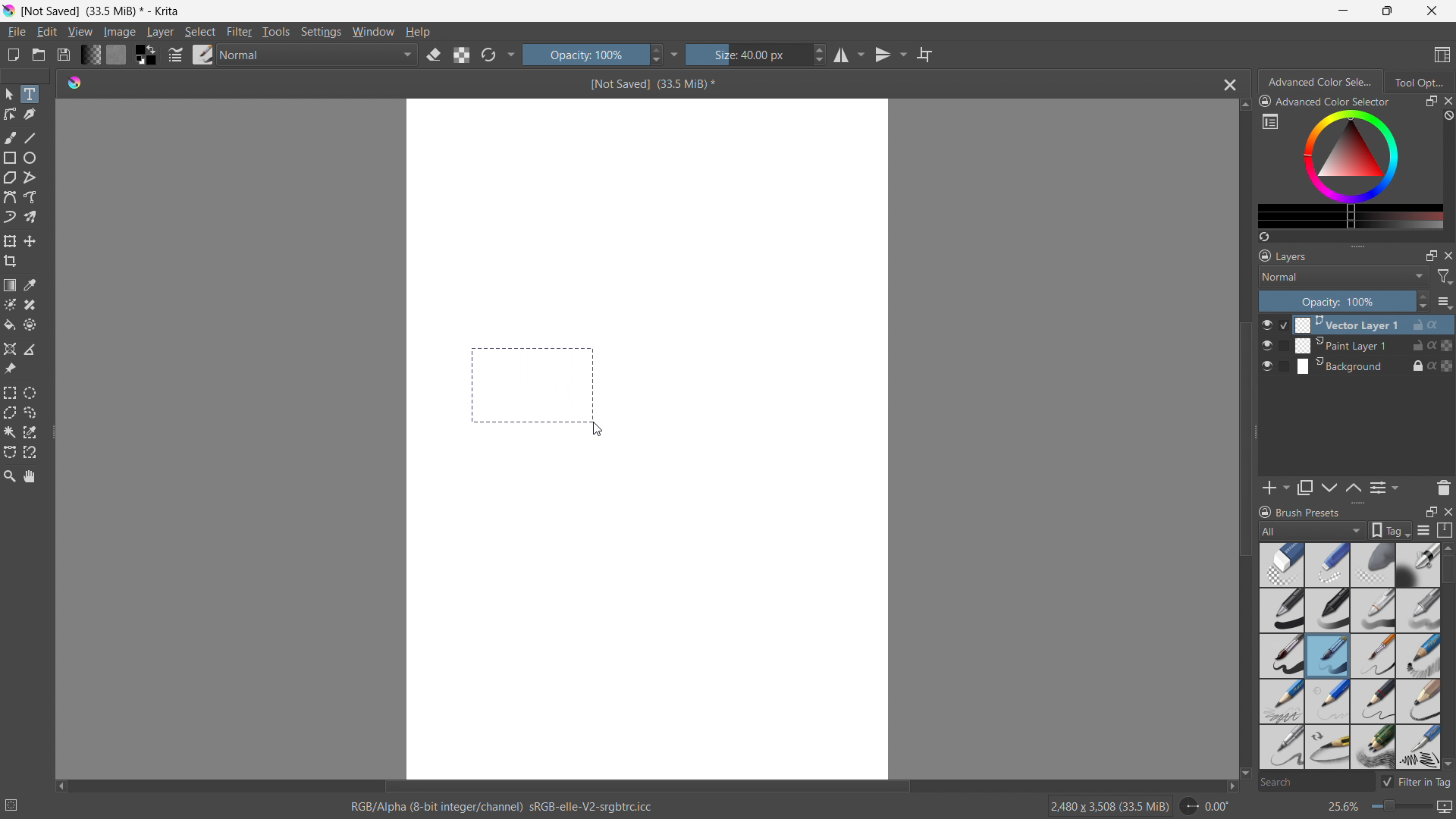 The image size is (1456, 819). What do you see at coordinates (1328, 656) in the screenshot?
I see `Brush` at bounding box center [1328, 656].